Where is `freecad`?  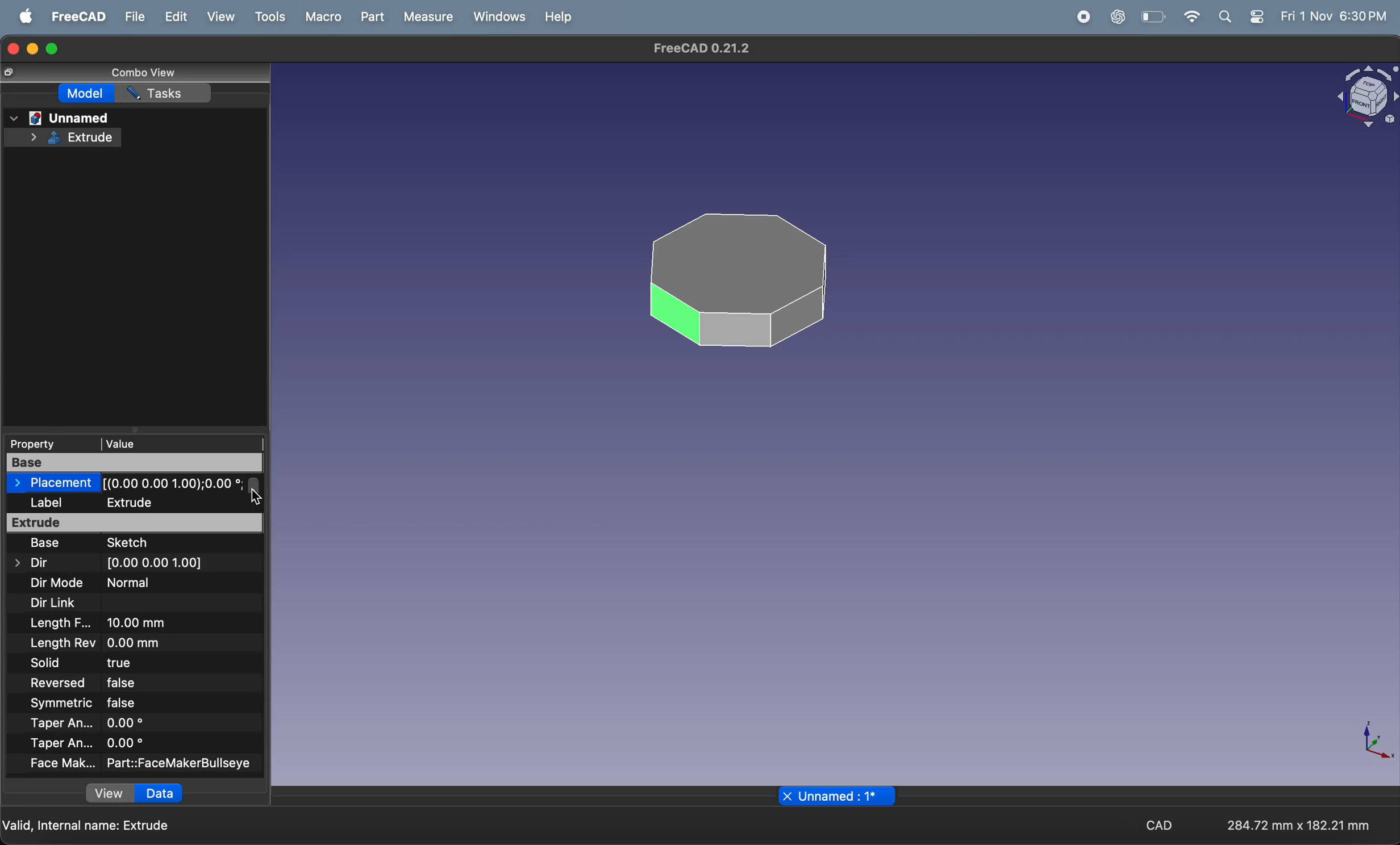 freecad is located at coordinates (77, 16).